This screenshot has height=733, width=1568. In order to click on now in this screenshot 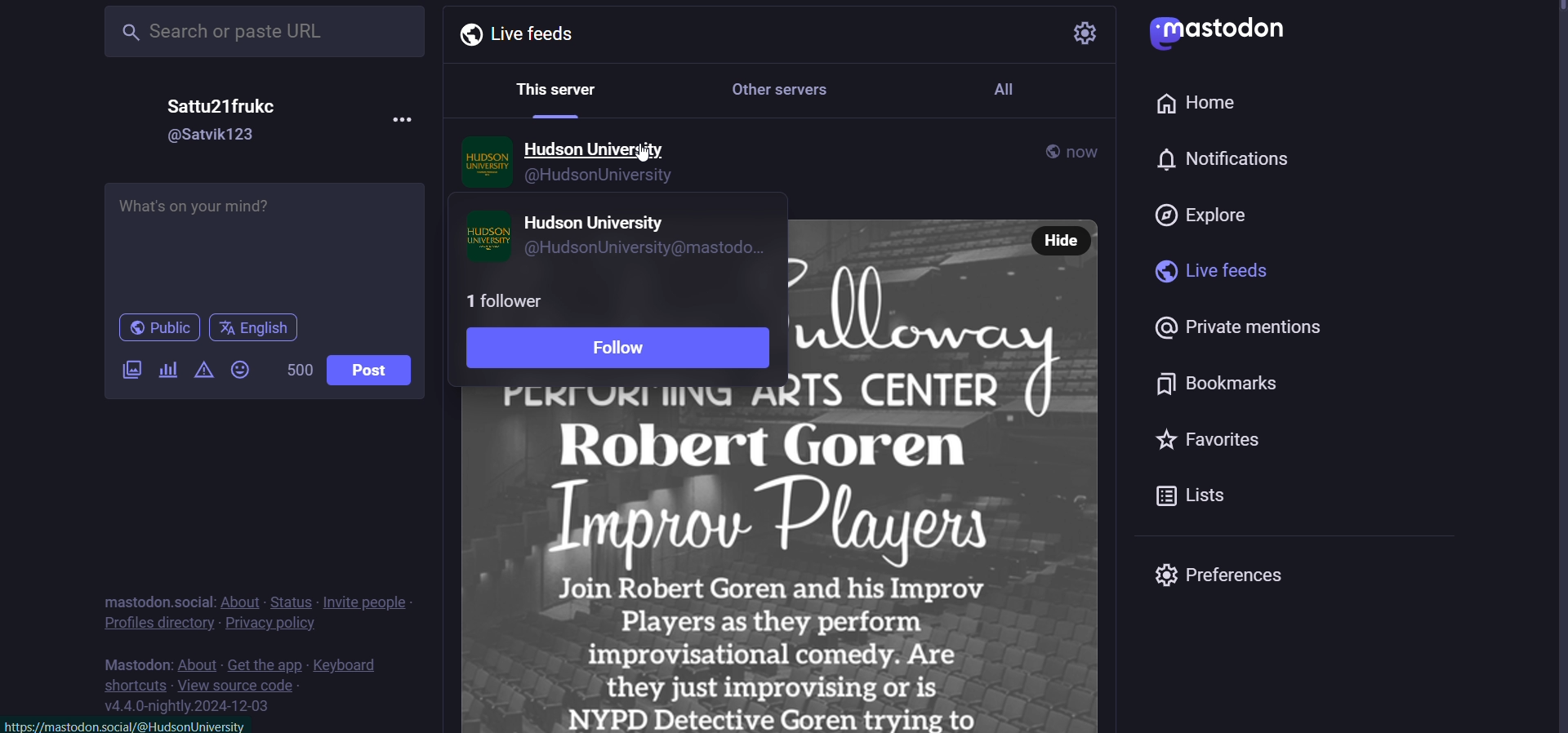, I will do `click(1090, 149)`.